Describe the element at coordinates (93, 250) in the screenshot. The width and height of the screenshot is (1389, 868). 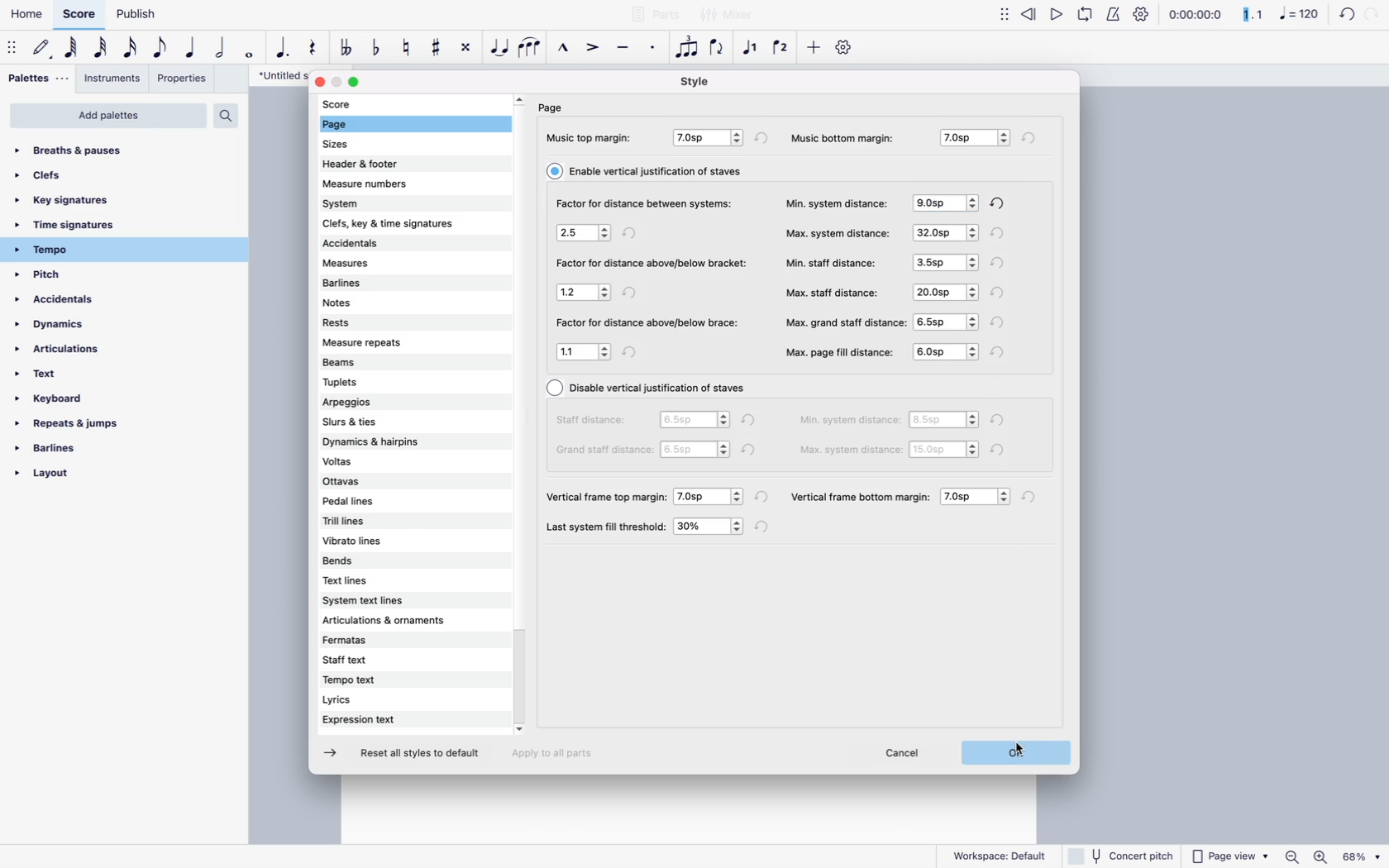
I see `tempo` at that location.